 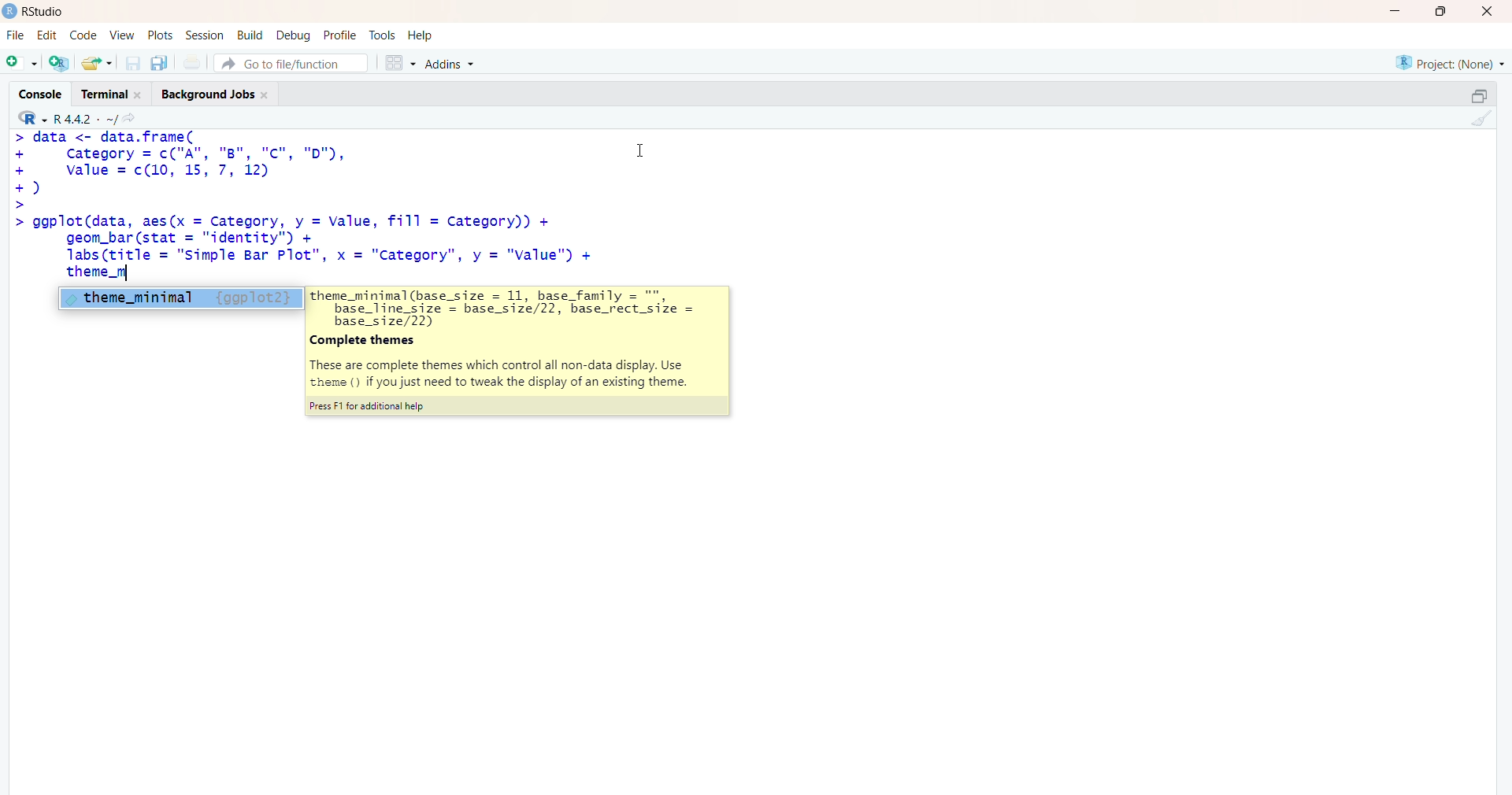 What do you see at coordinates (96, 62) in the screenshot?
I see `open an existing file` at bounding box center [96, 62].